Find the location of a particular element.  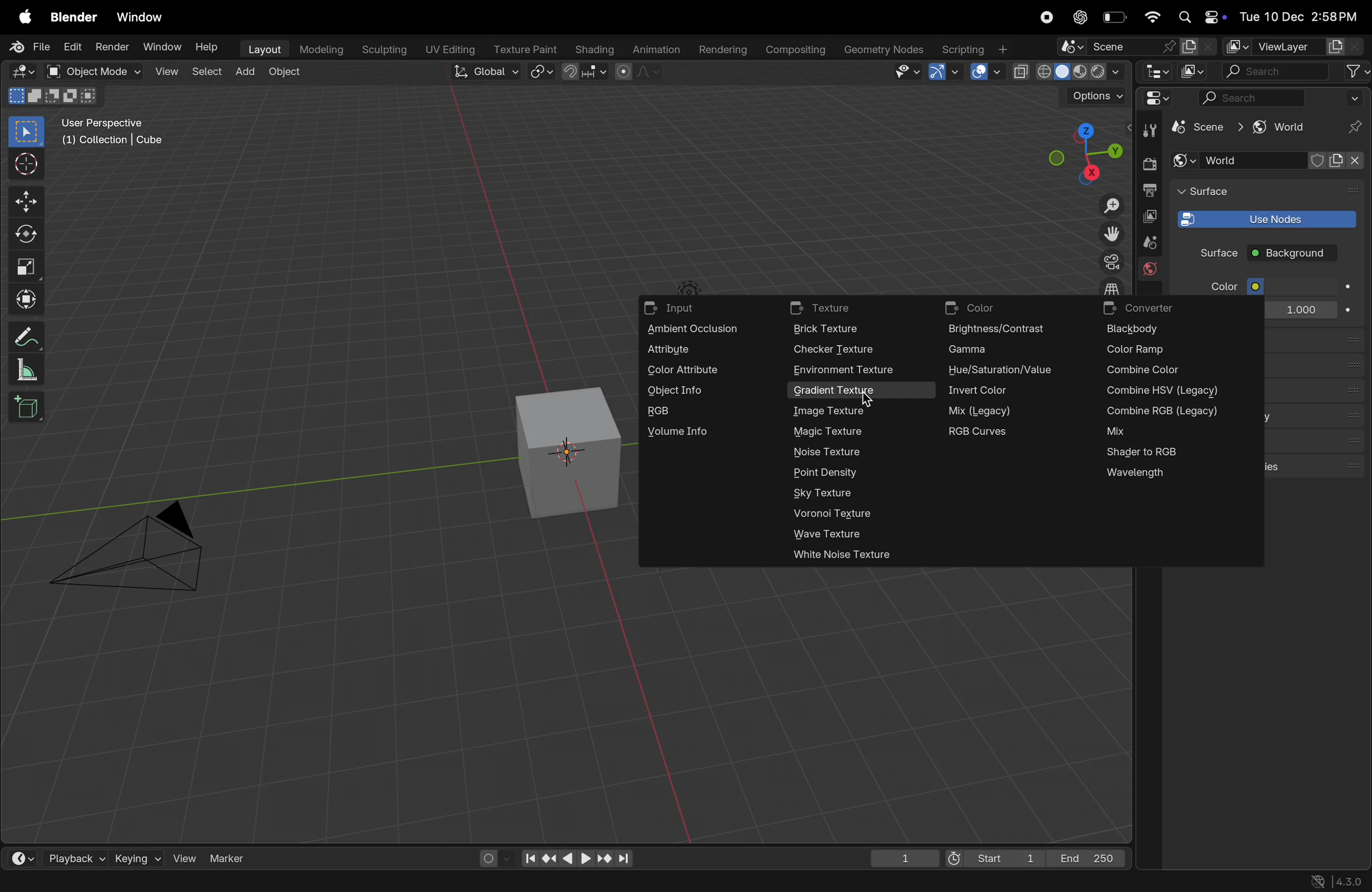

magic texture is located at coordinates (833, 433).